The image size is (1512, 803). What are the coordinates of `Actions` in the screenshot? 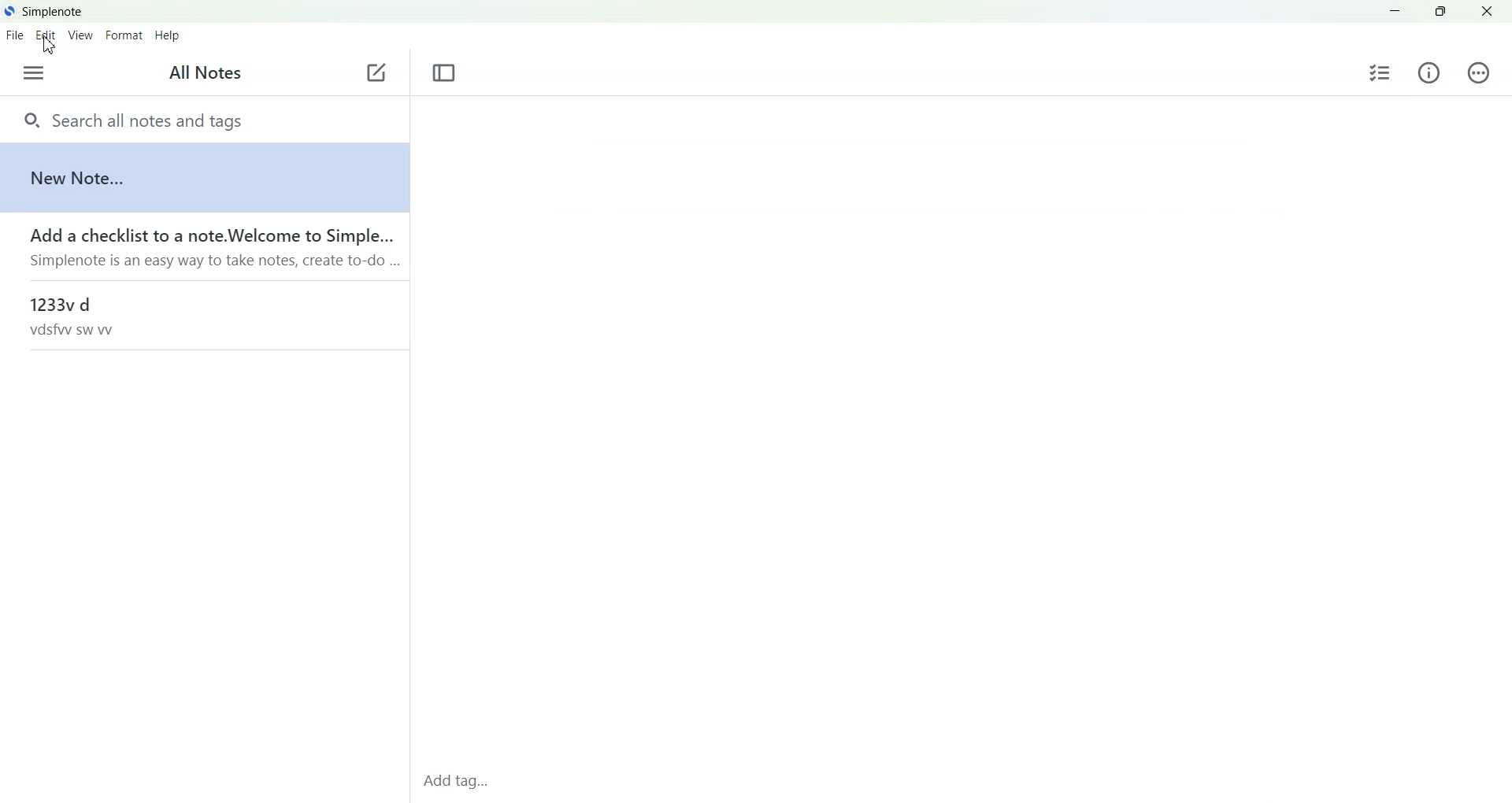 It's located at (1475, 72).